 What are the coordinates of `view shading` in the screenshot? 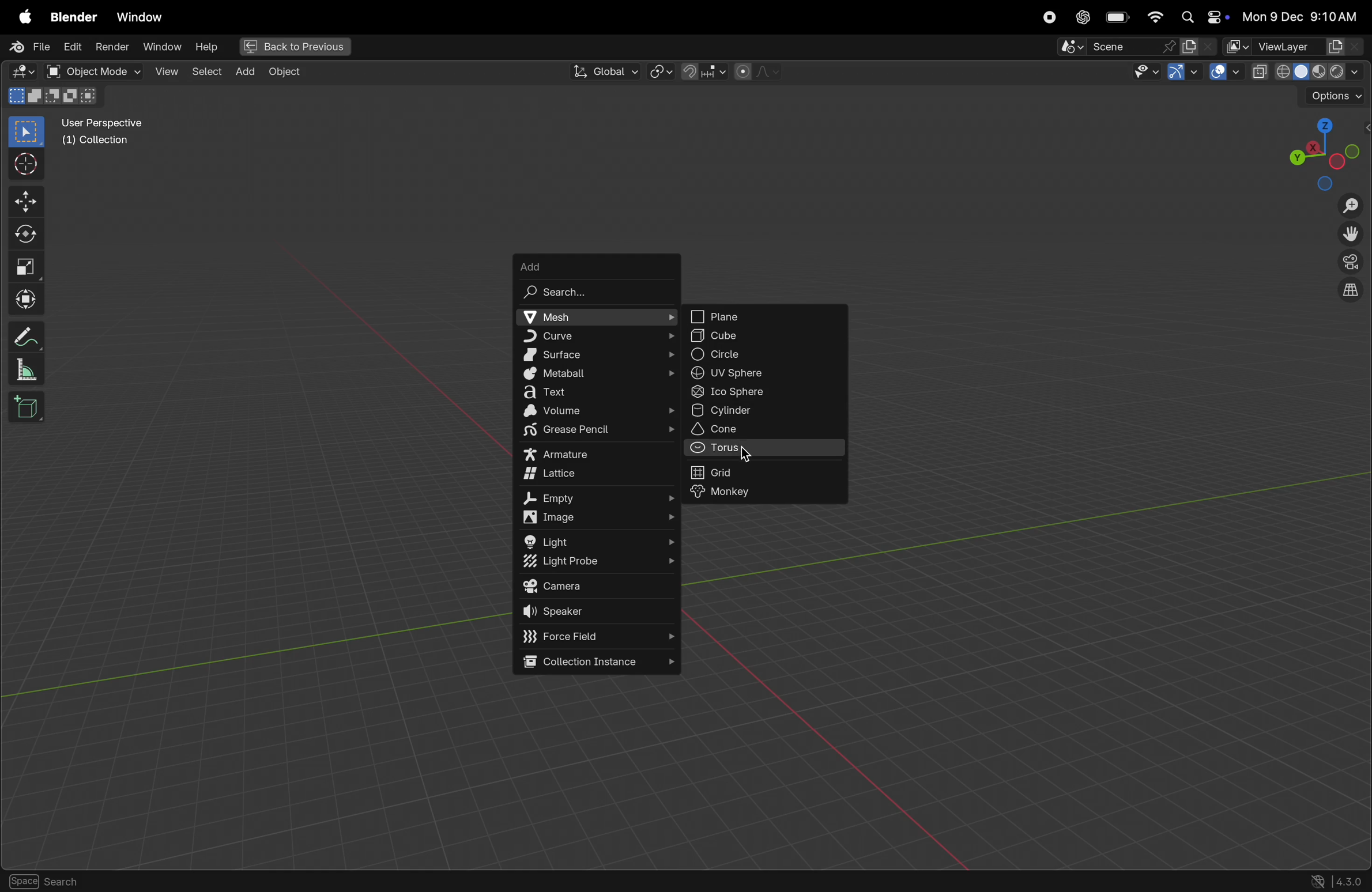 It's located at (1323, 70).